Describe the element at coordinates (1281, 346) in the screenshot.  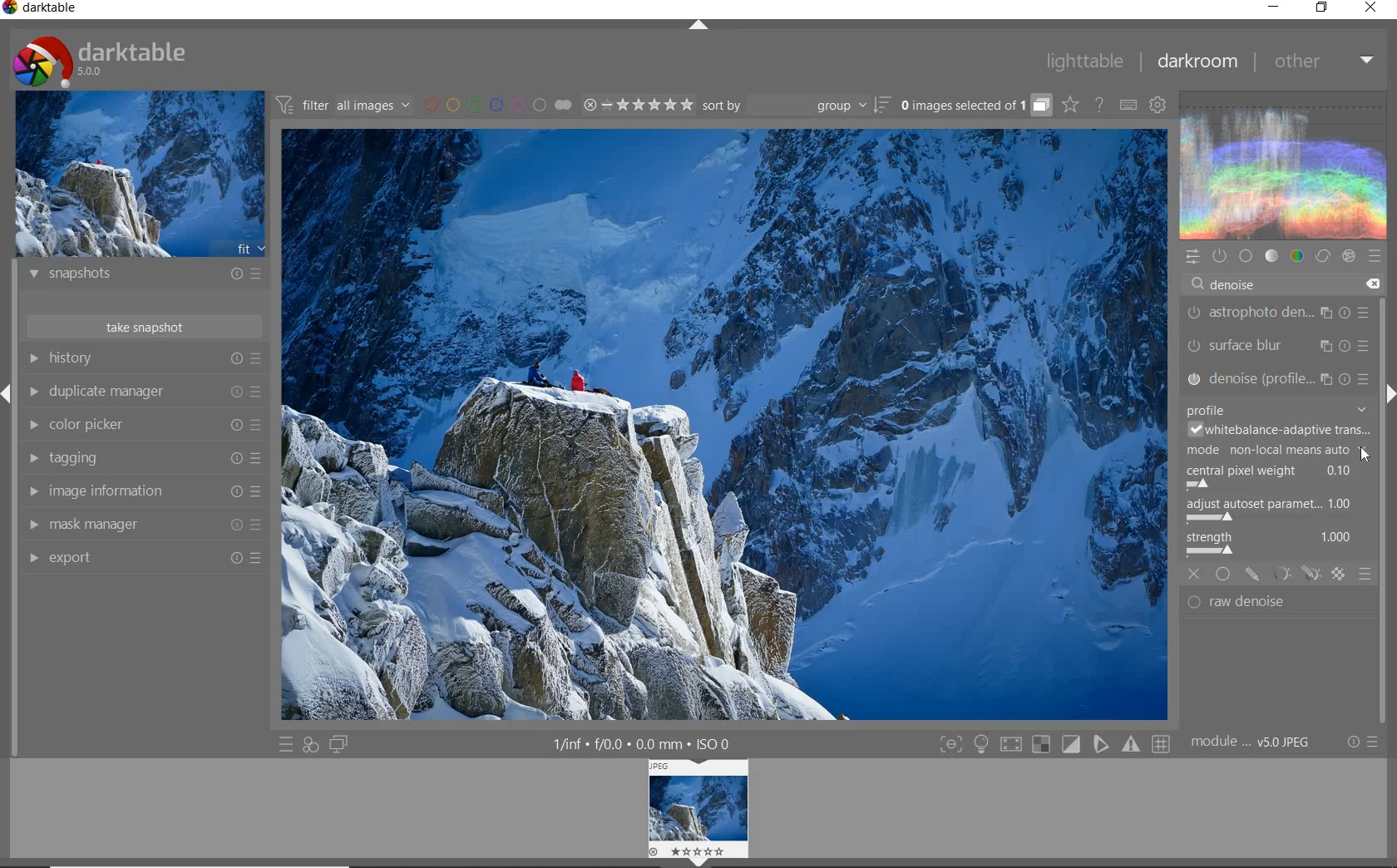
I see `surface blur` at that location.